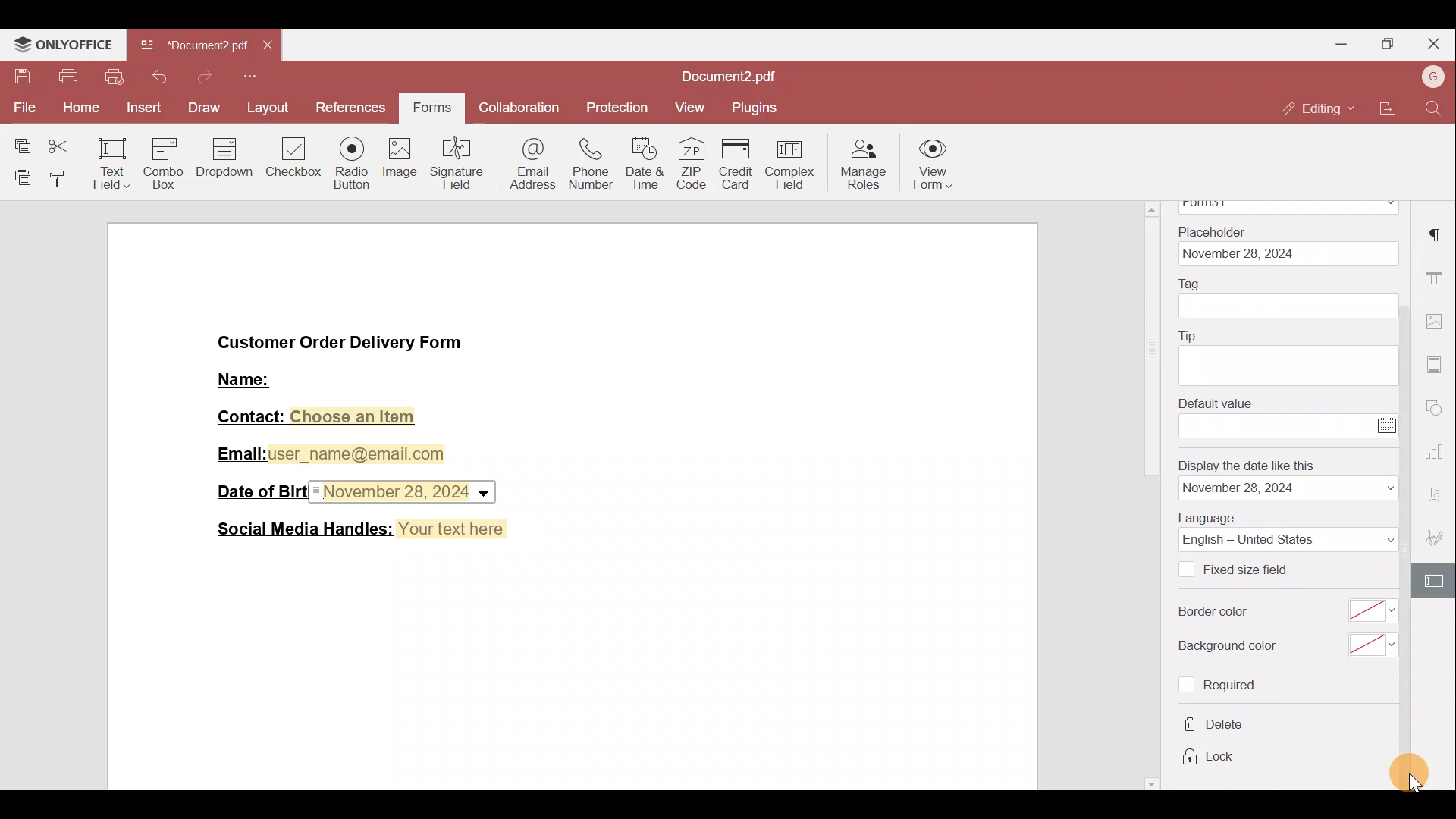 The height and width of the screenshot is (819, 1456). I want to click on Home, so click(77, 109).